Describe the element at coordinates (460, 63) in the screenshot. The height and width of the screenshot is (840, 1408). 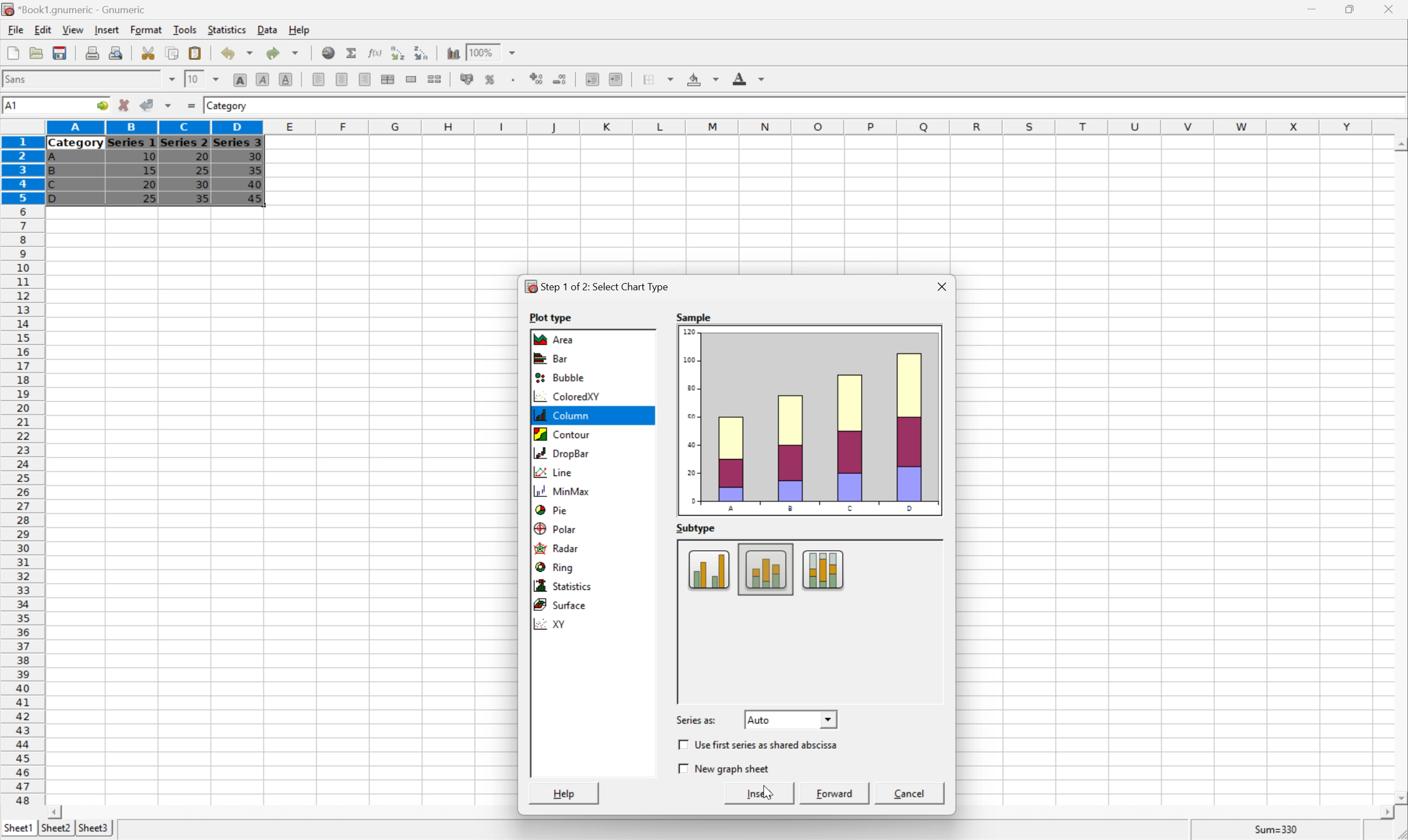
I see `Cursor` at that location.